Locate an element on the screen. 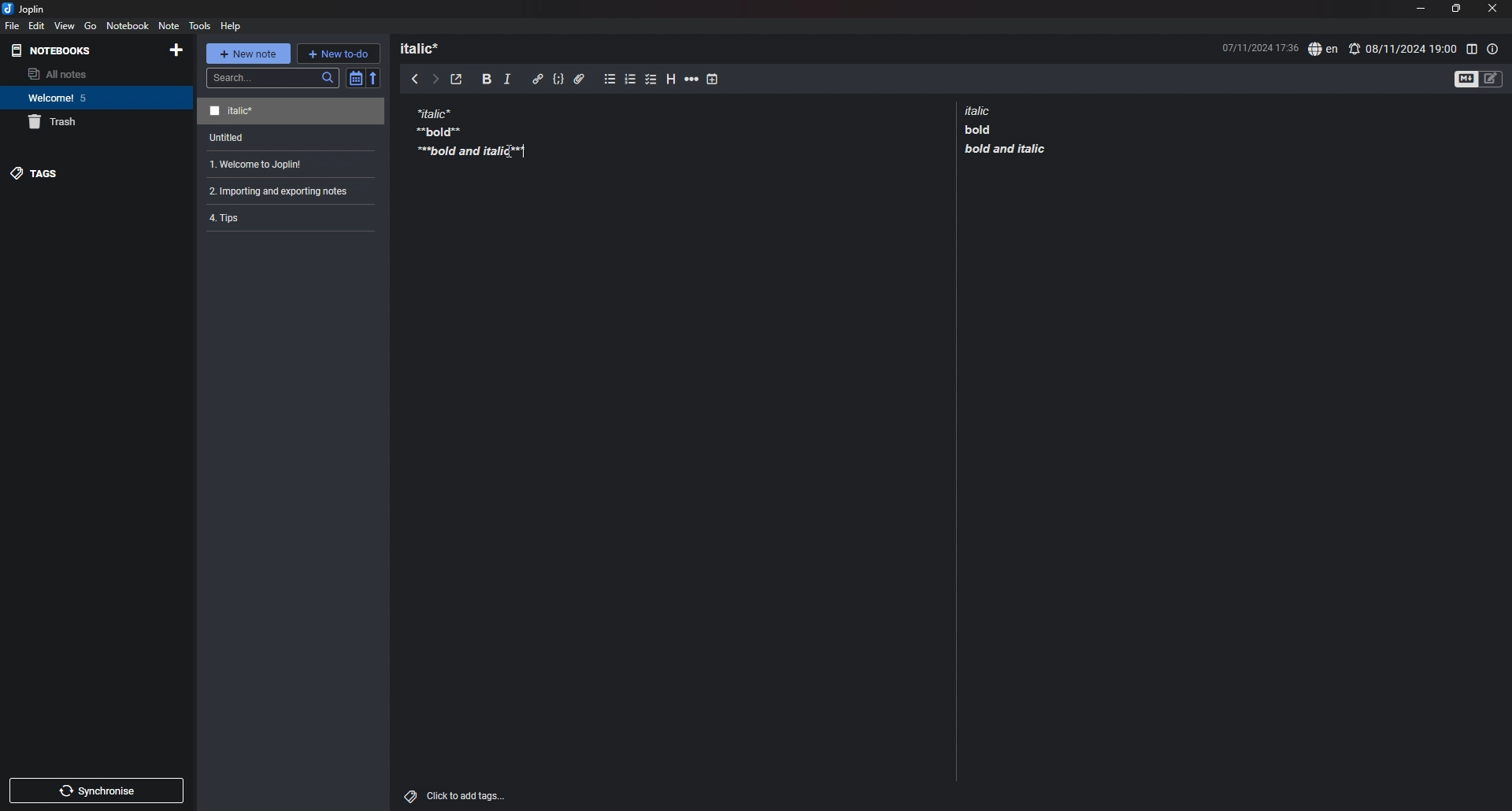 The image size is (1512, 811). note is located at coordinates (287, 165).